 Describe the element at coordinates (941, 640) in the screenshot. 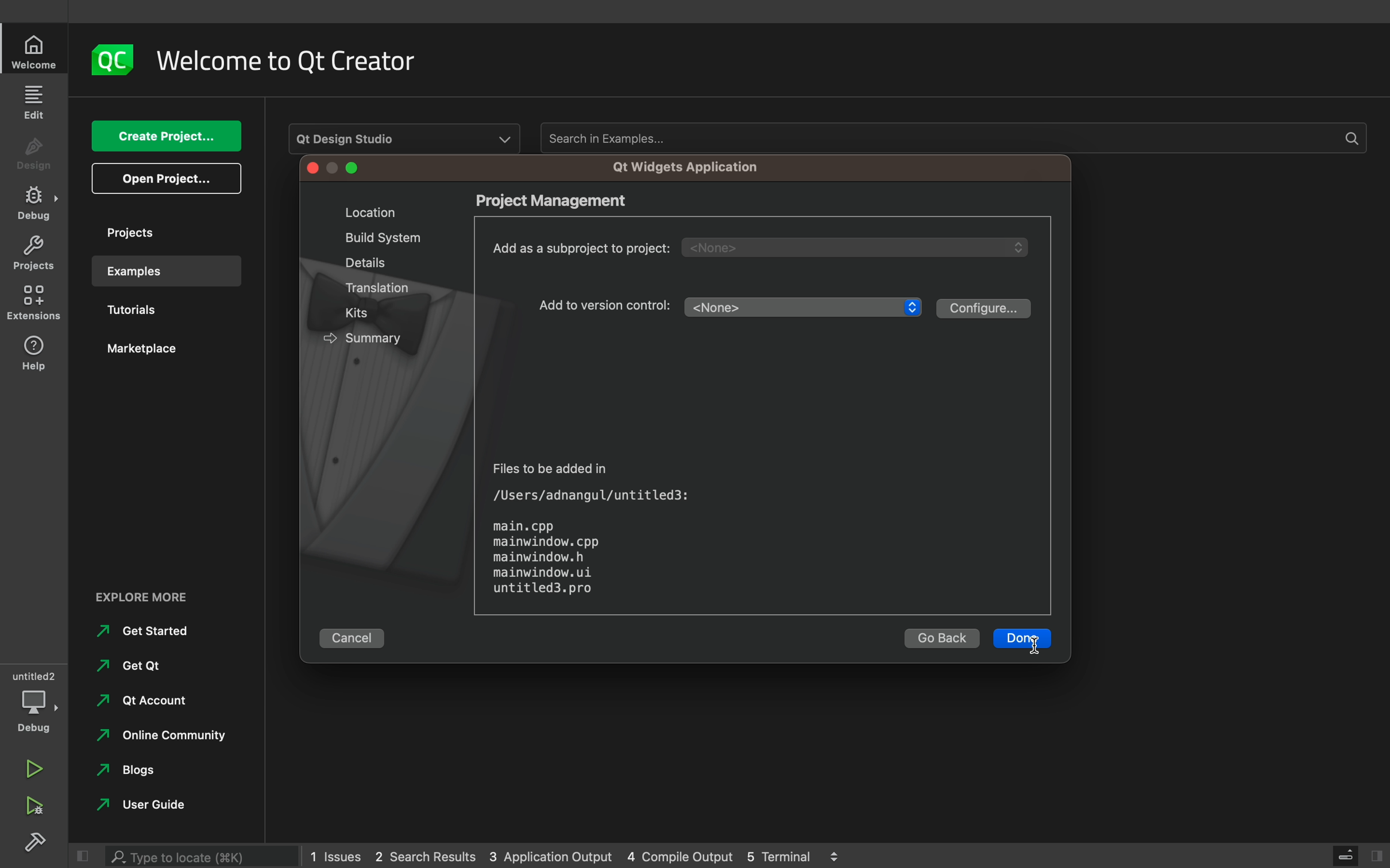

I see `go back` at that location.